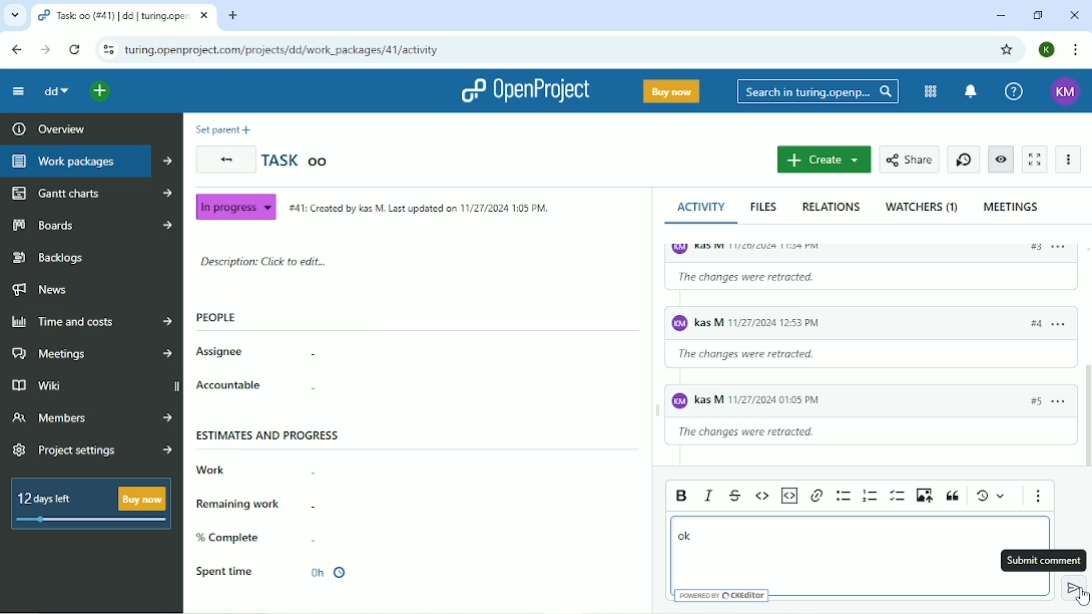 The height and width of the screenshot is (614, 1092). I want to click on Work, so click(255, 470).